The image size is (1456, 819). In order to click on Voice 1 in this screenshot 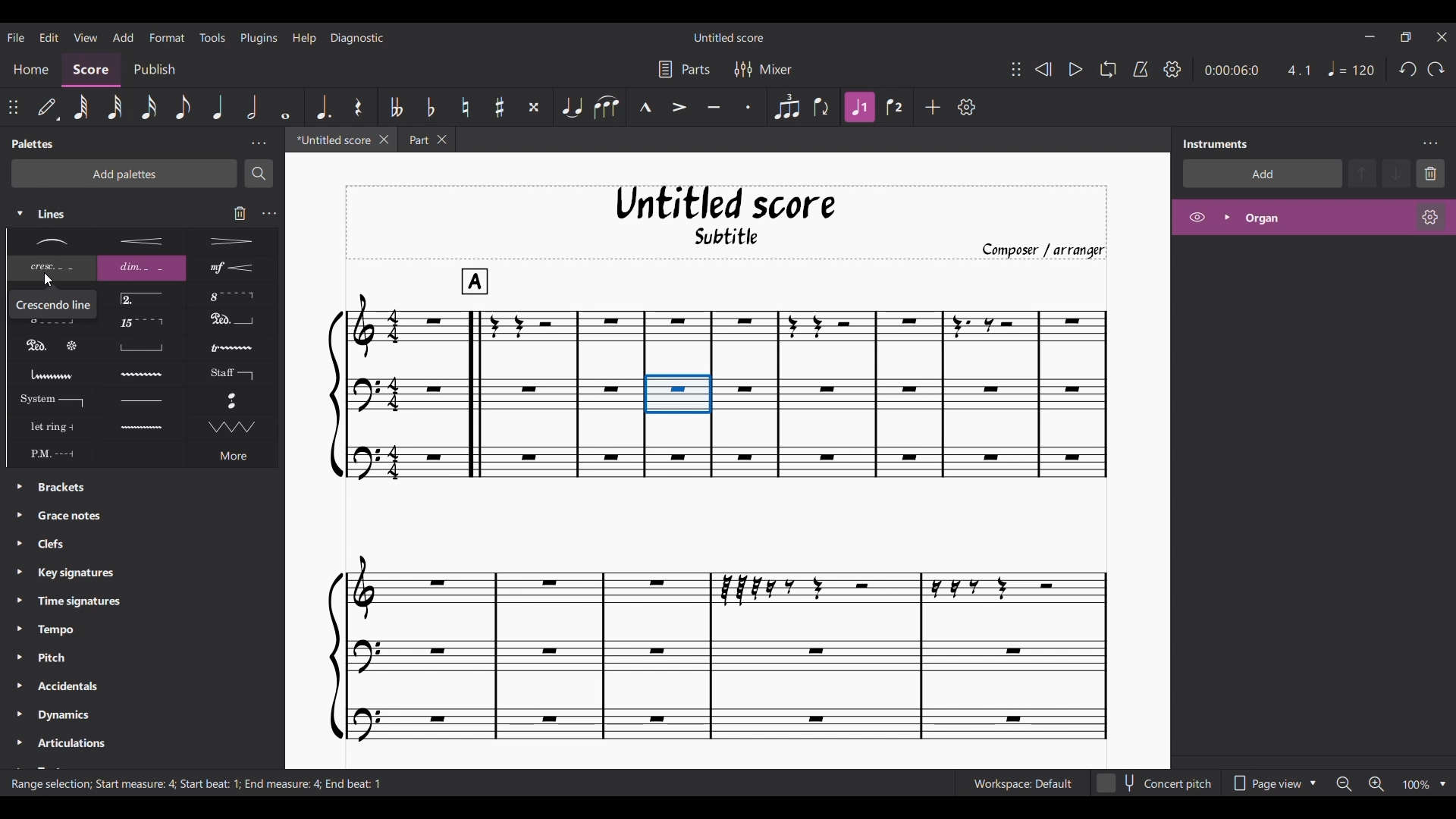, I will do `click(858, 107)`.